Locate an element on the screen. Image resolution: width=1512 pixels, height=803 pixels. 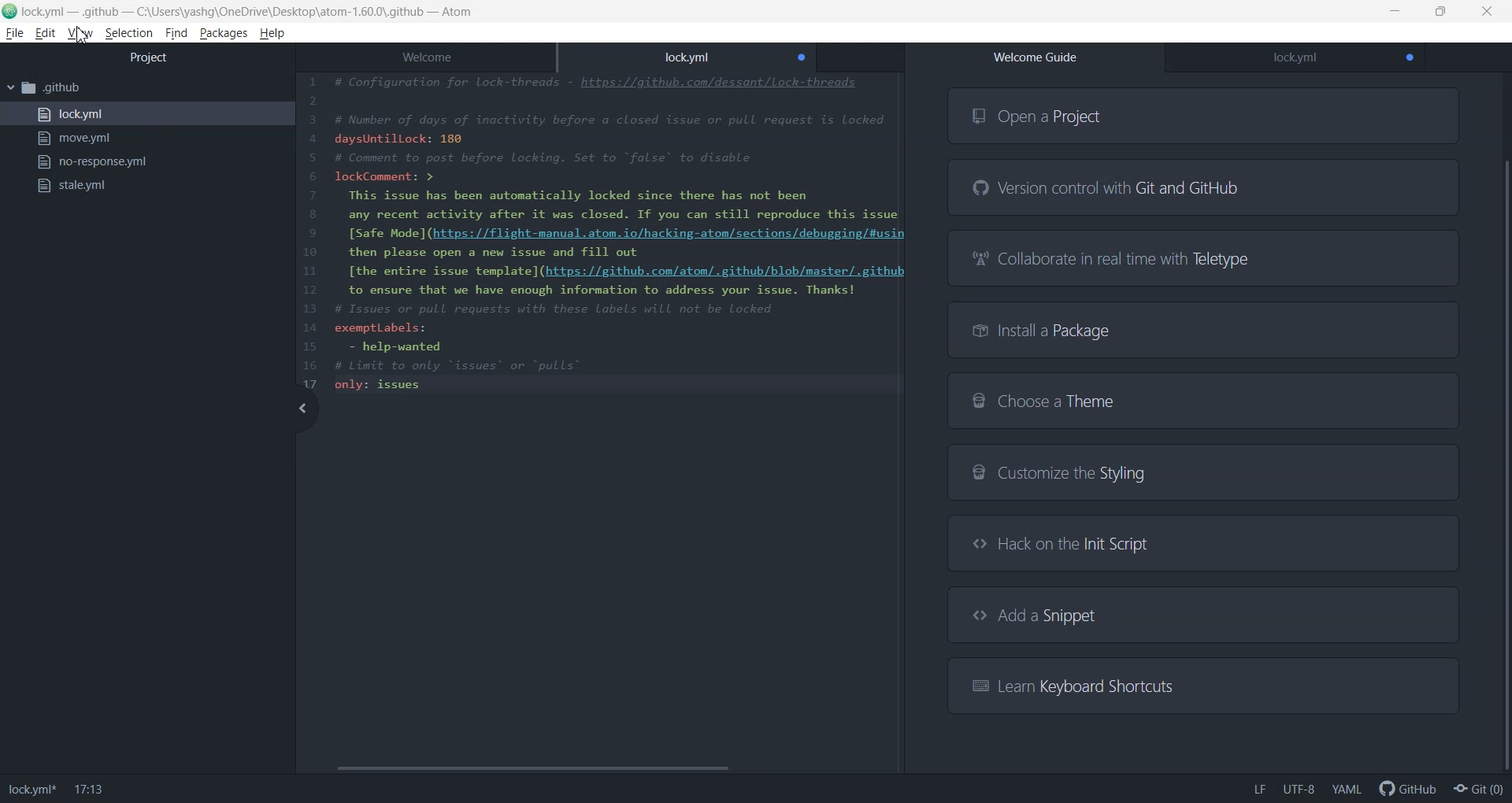
Create repository is located at coordinates (1479, 789).